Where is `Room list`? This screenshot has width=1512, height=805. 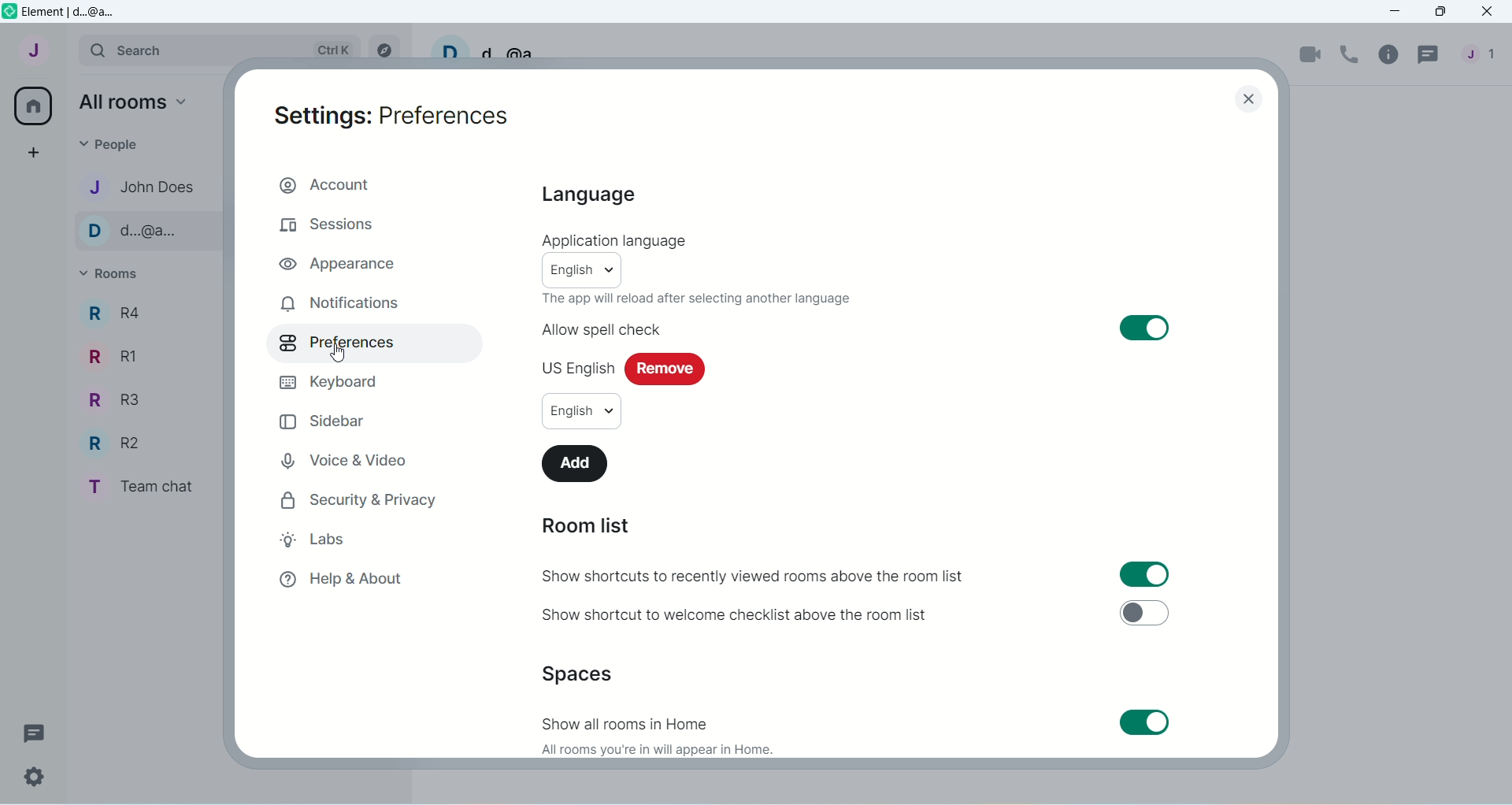 Room list is located at coordinates (609, 523).